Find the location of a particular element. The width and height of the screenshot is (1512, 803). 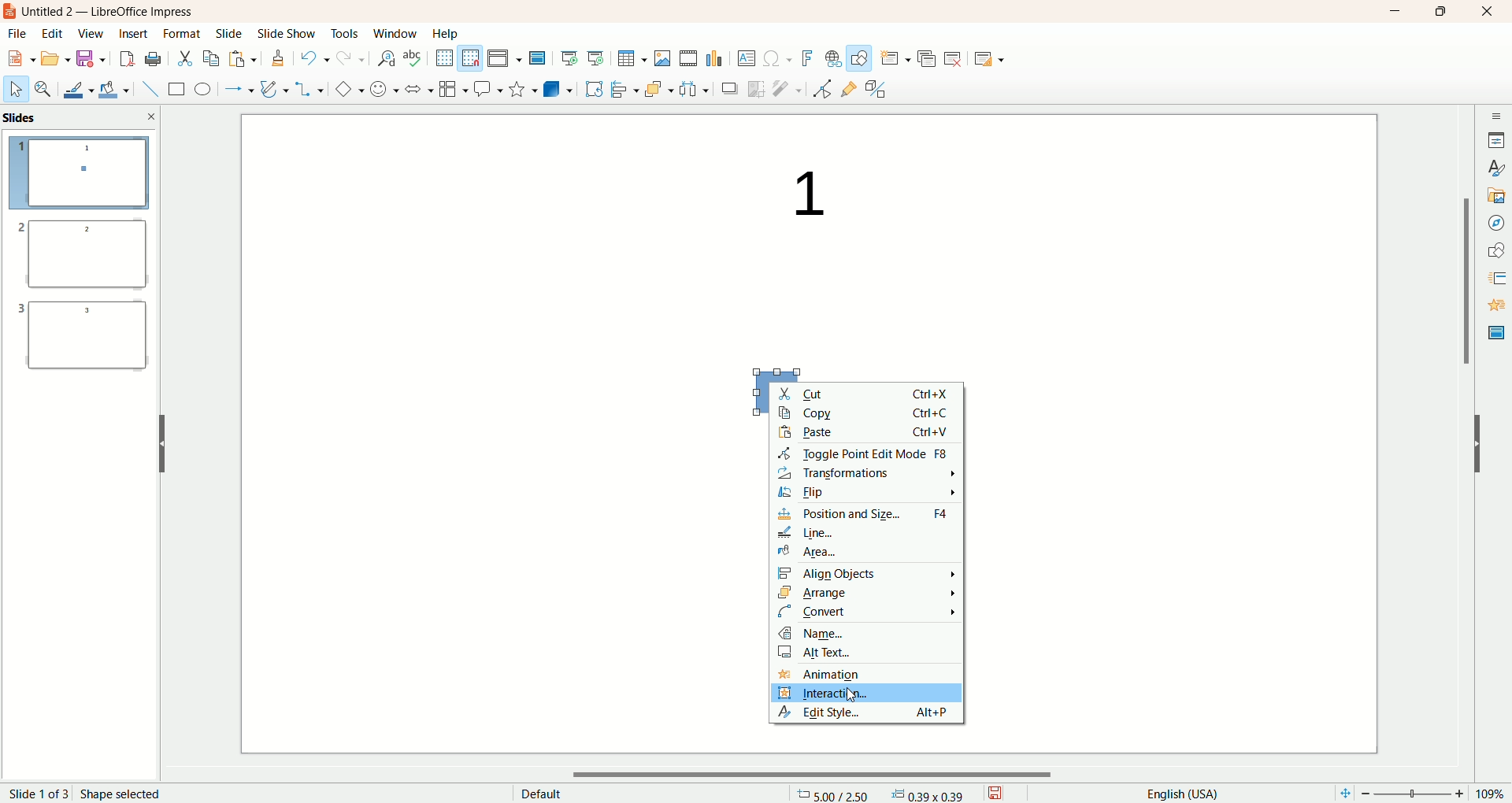

insert table is located at coordinates (632, 58).